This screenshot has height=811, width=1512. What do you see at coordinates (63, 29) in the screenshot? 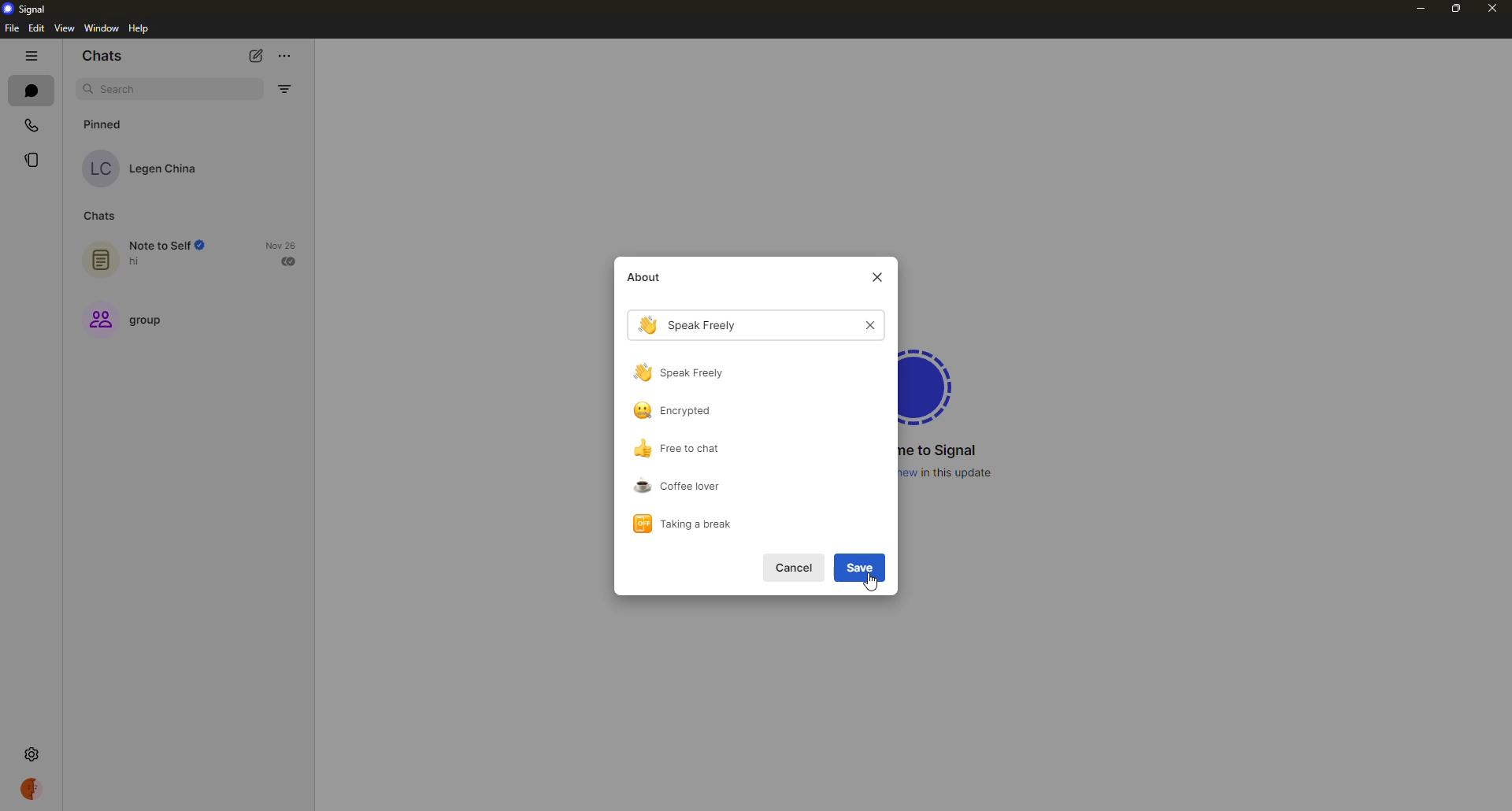
I see `view` at bounding box center [63, 29].